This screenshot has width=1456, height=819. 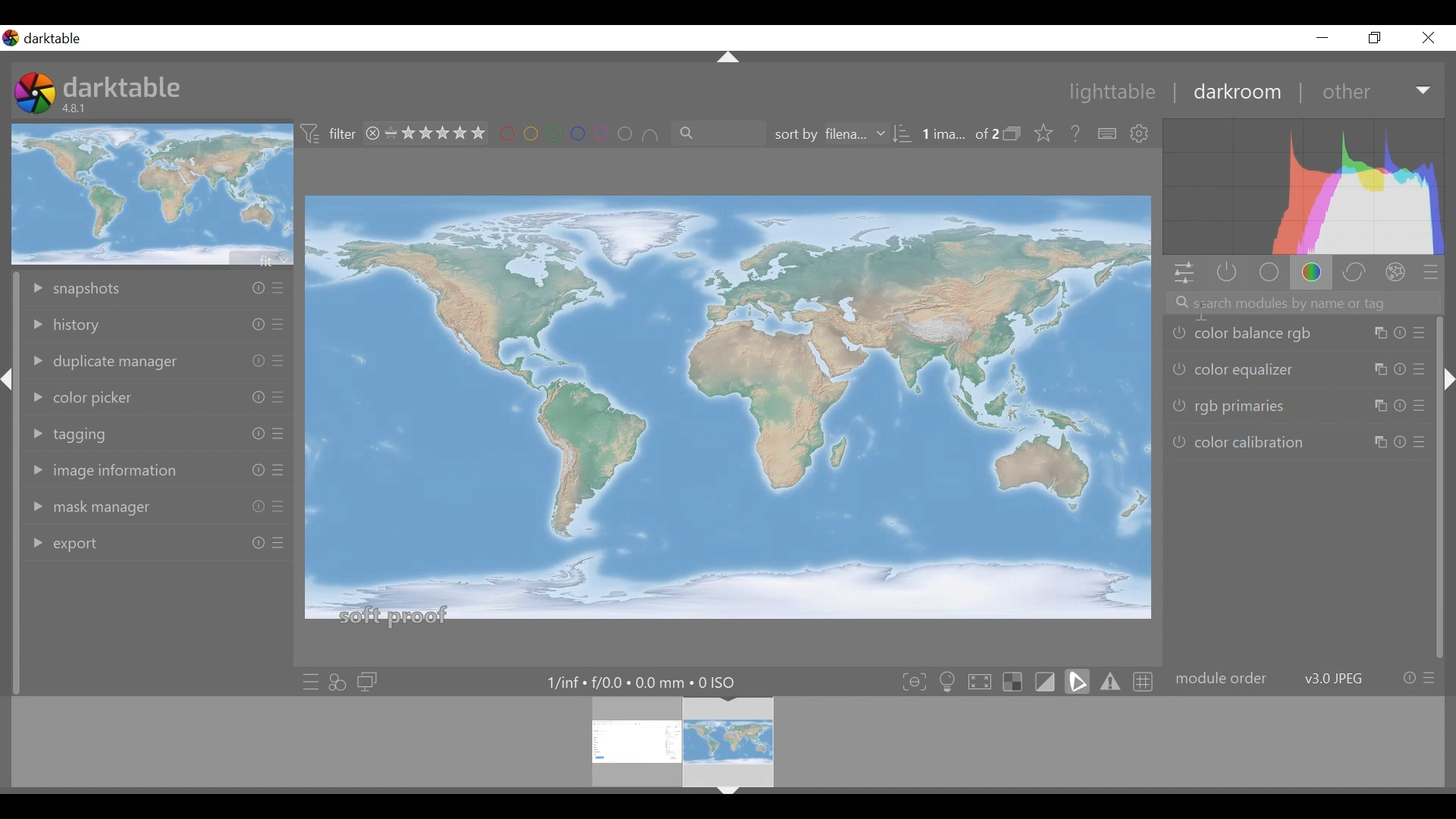 What do you see at coordinates (1271, 274) in the screenshot?
I see `base` at bounding box center [1271, 274].